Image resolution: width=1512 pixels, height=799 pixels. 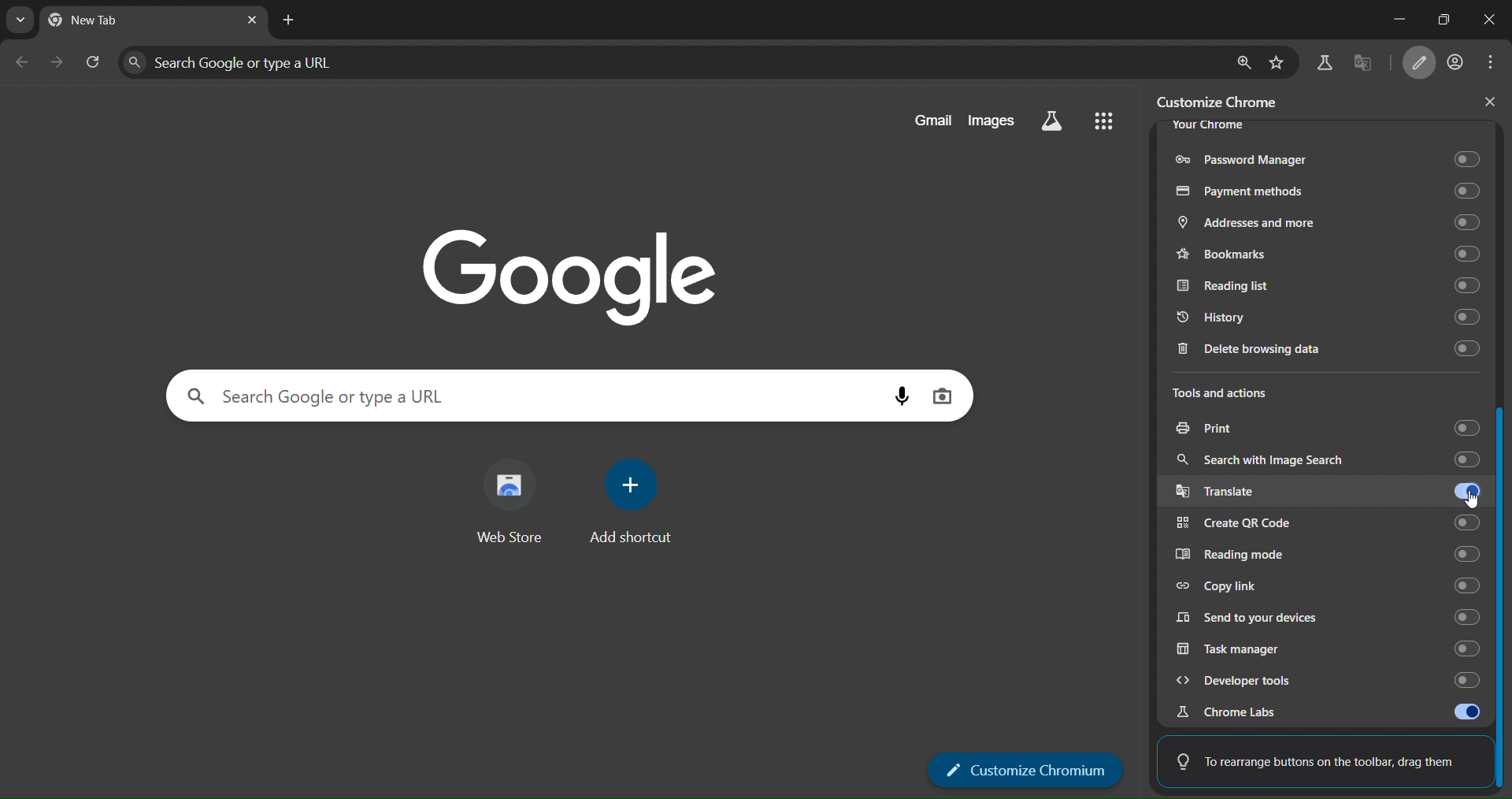 I want to click on slider, so click(x=1503, y=595).